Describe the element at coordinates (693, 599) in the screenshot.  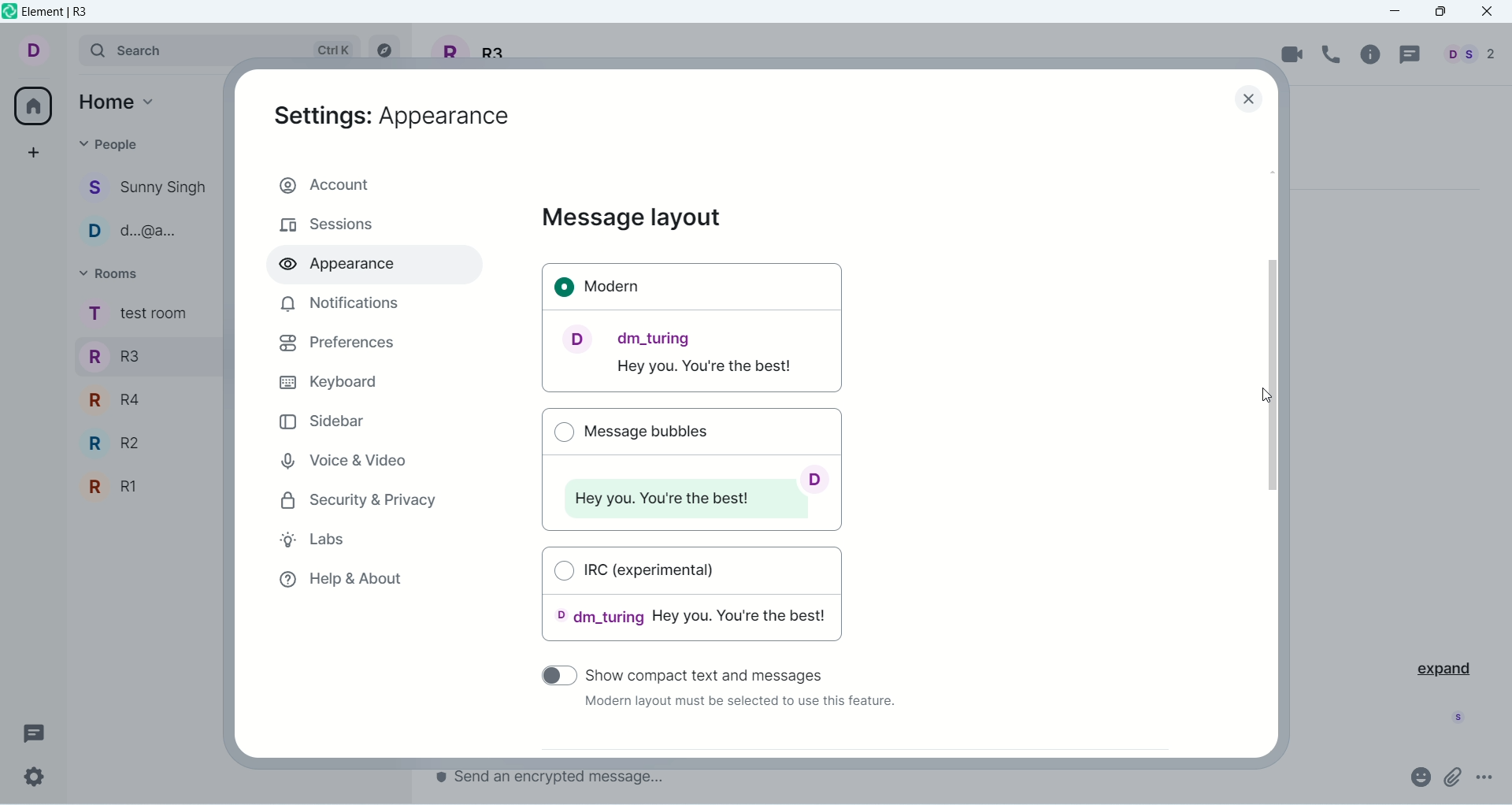
I see `IRC (experimental0` at that location.